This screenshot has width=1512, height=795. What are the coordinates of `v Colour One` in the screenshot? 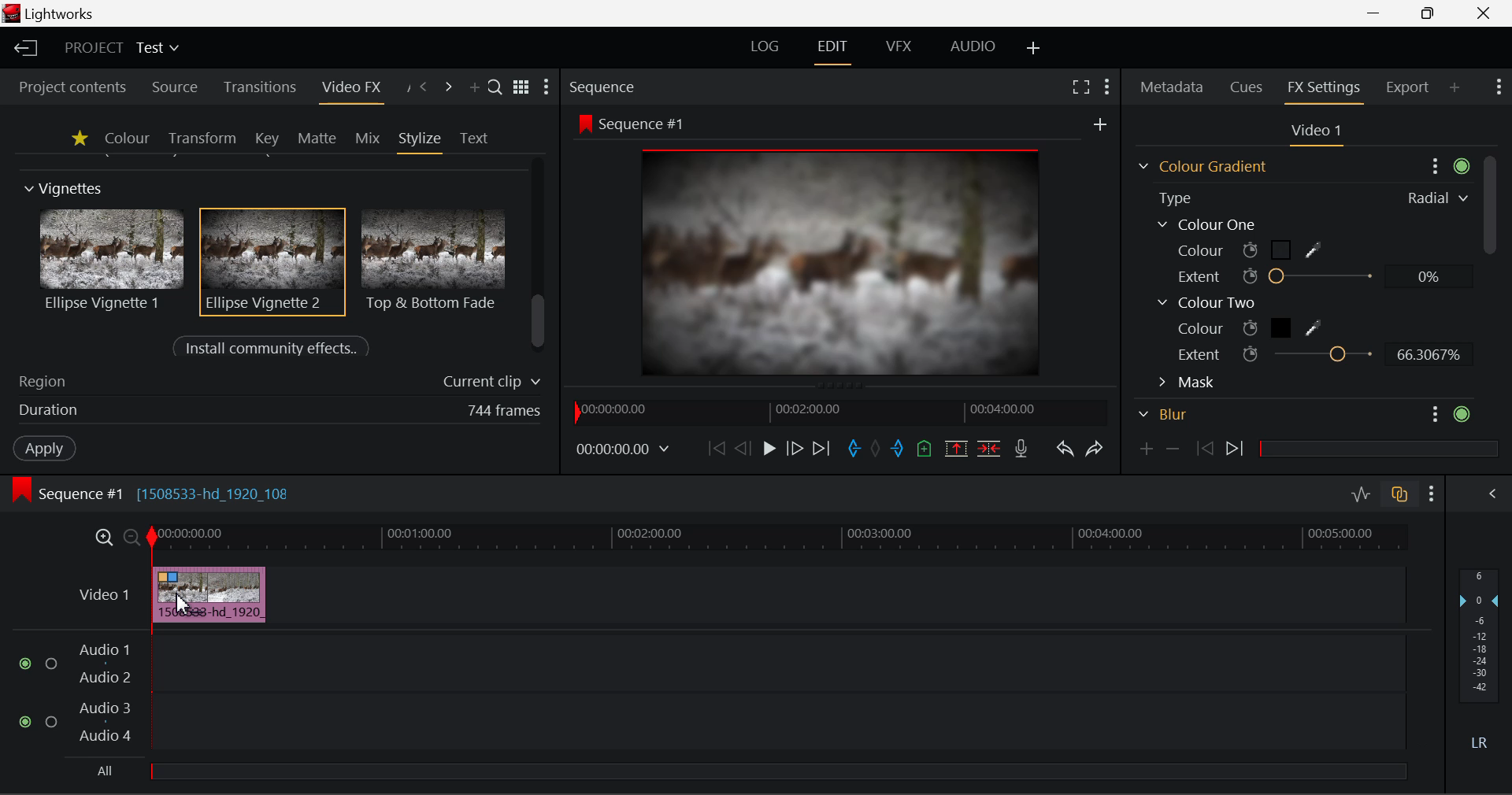 It's located at (1213, 224).